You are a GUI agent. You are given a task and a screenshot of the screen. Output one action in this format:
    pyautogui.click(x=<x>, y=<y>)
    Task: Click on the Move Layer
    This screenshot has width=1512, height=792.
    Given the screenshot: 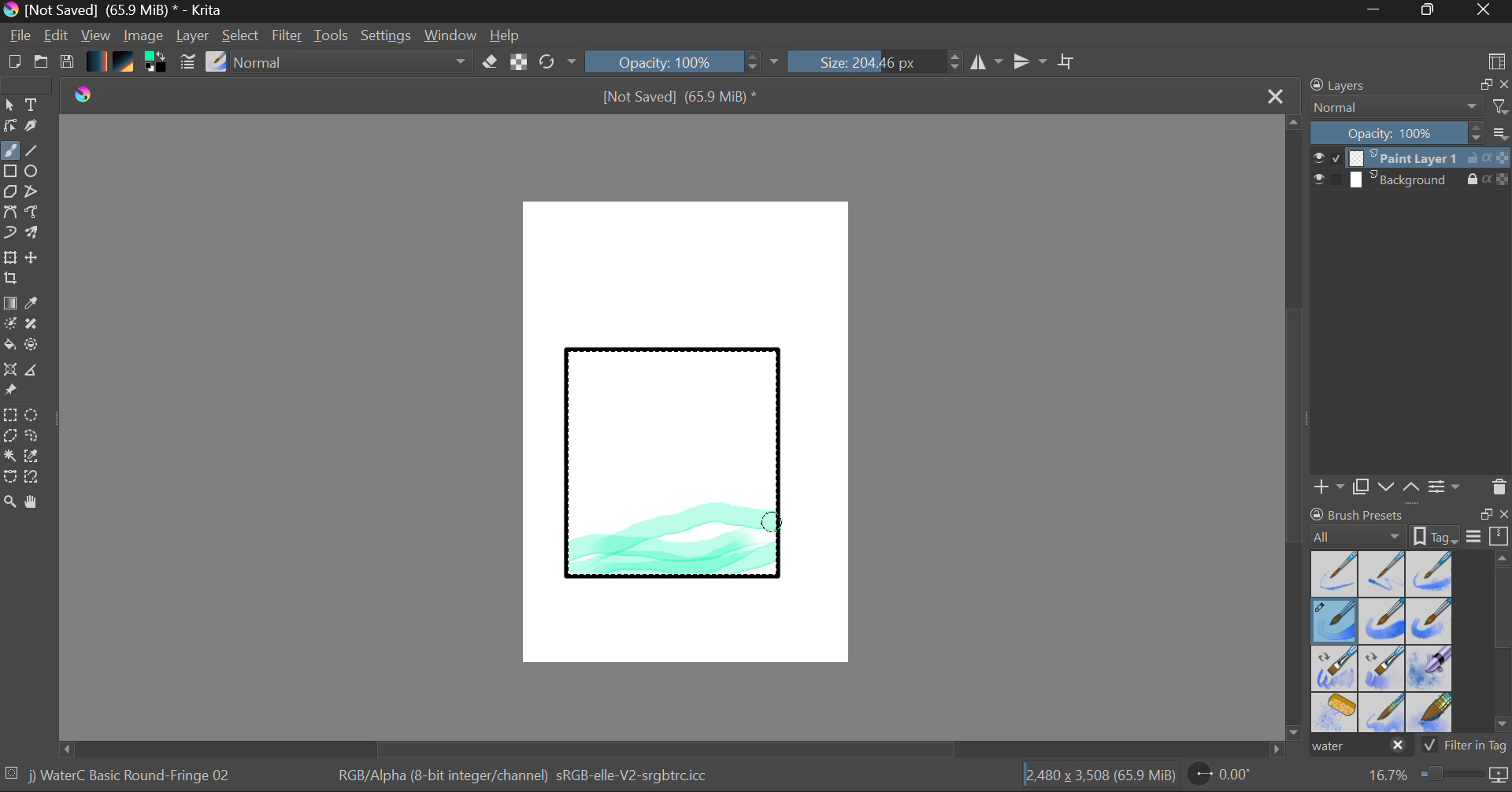 What is the action you would take?
    pyautogui.click(x=33, y=257)
    